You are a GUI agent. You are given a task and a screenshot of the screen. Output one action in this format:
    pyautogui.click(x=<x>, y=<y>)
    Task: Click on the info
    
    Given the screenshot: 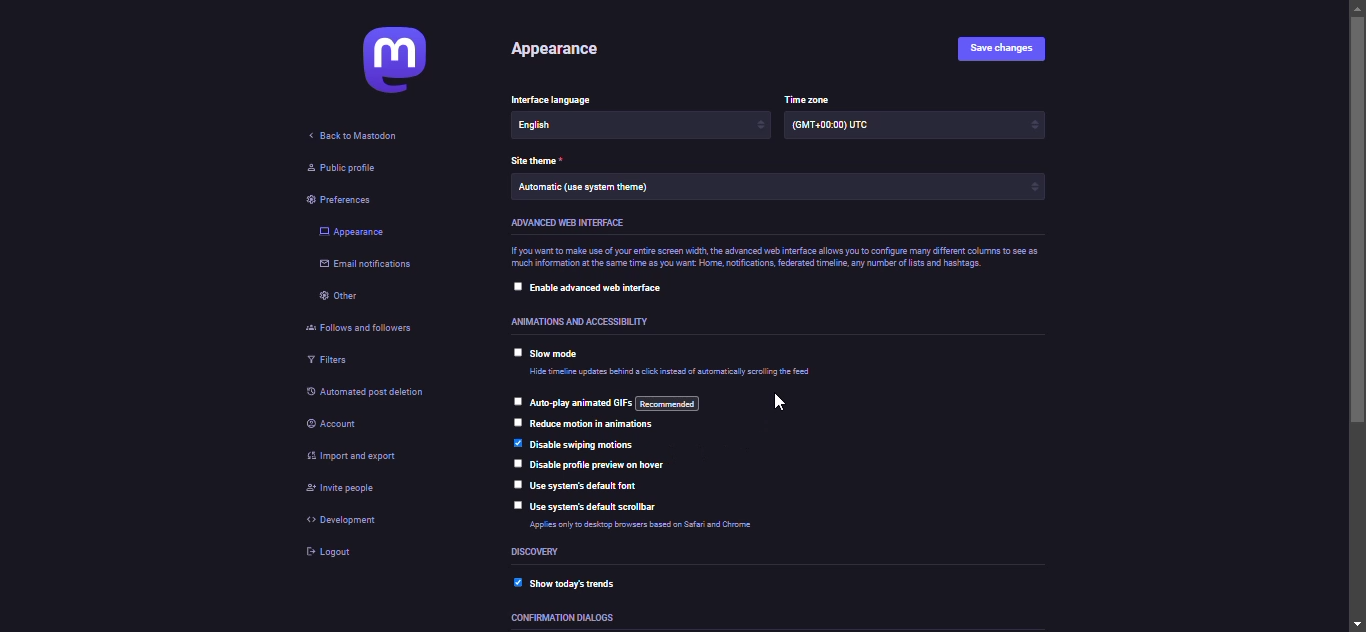 What is the action you would take?
    pyautogui.click(x=666, y=526)
    